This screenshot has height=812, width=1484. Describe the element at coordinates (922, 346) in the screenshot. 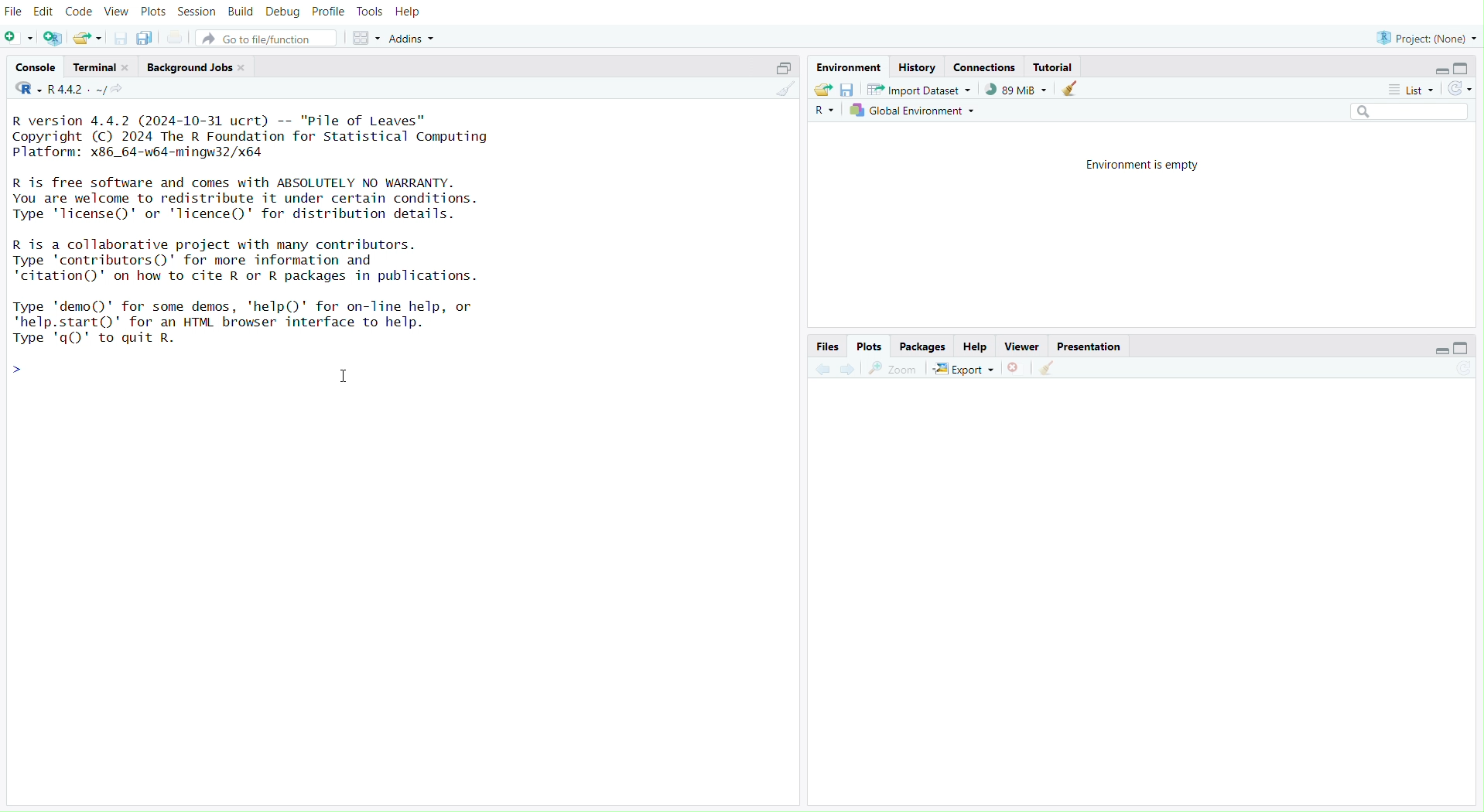

I see `Packages` at that location.